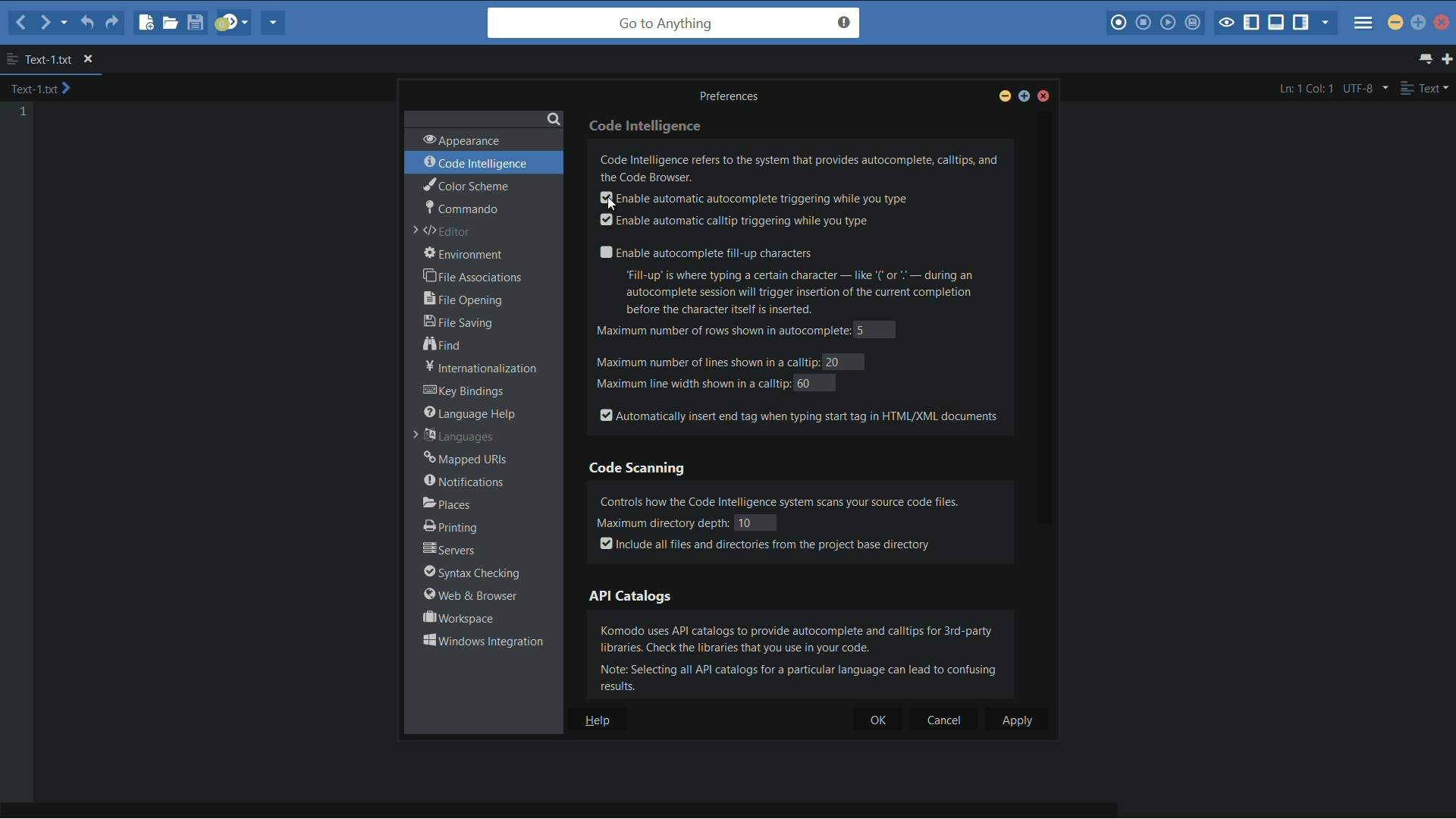 This screenshot has height=819, width=1456. Describe the element at coordinates (1443, 22) in the screenshot. I see `close app` at that location.